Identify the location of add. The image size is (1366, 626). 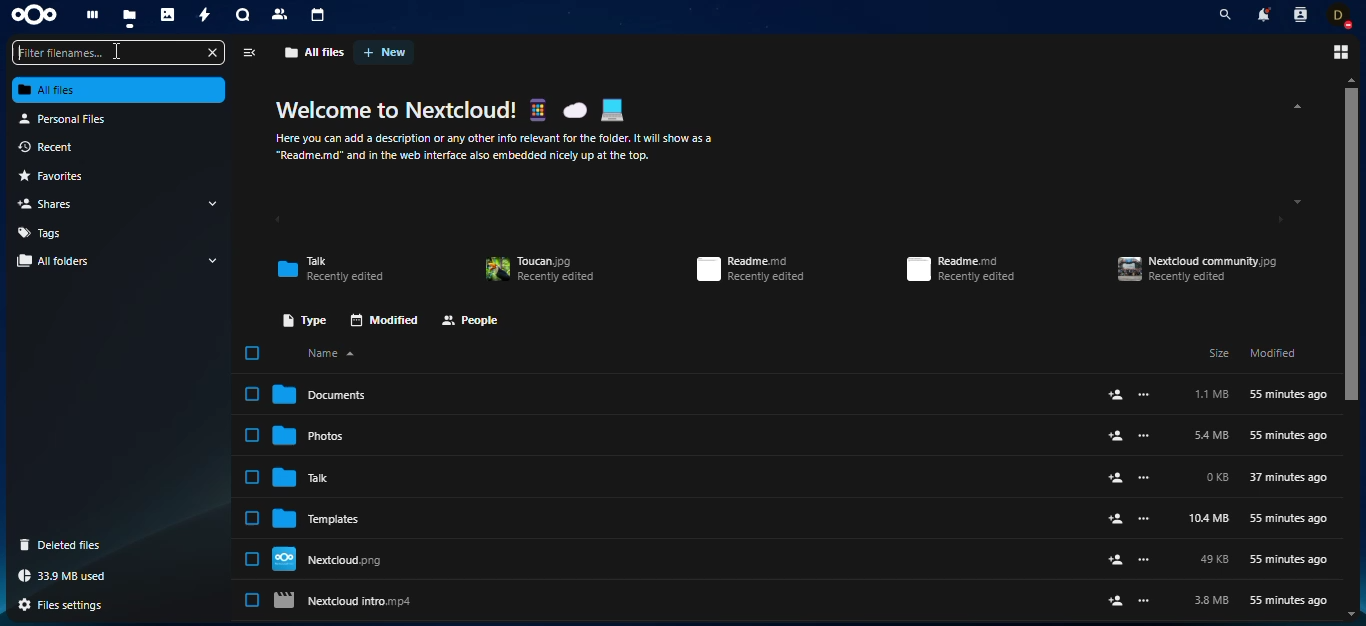
(1115, 601).